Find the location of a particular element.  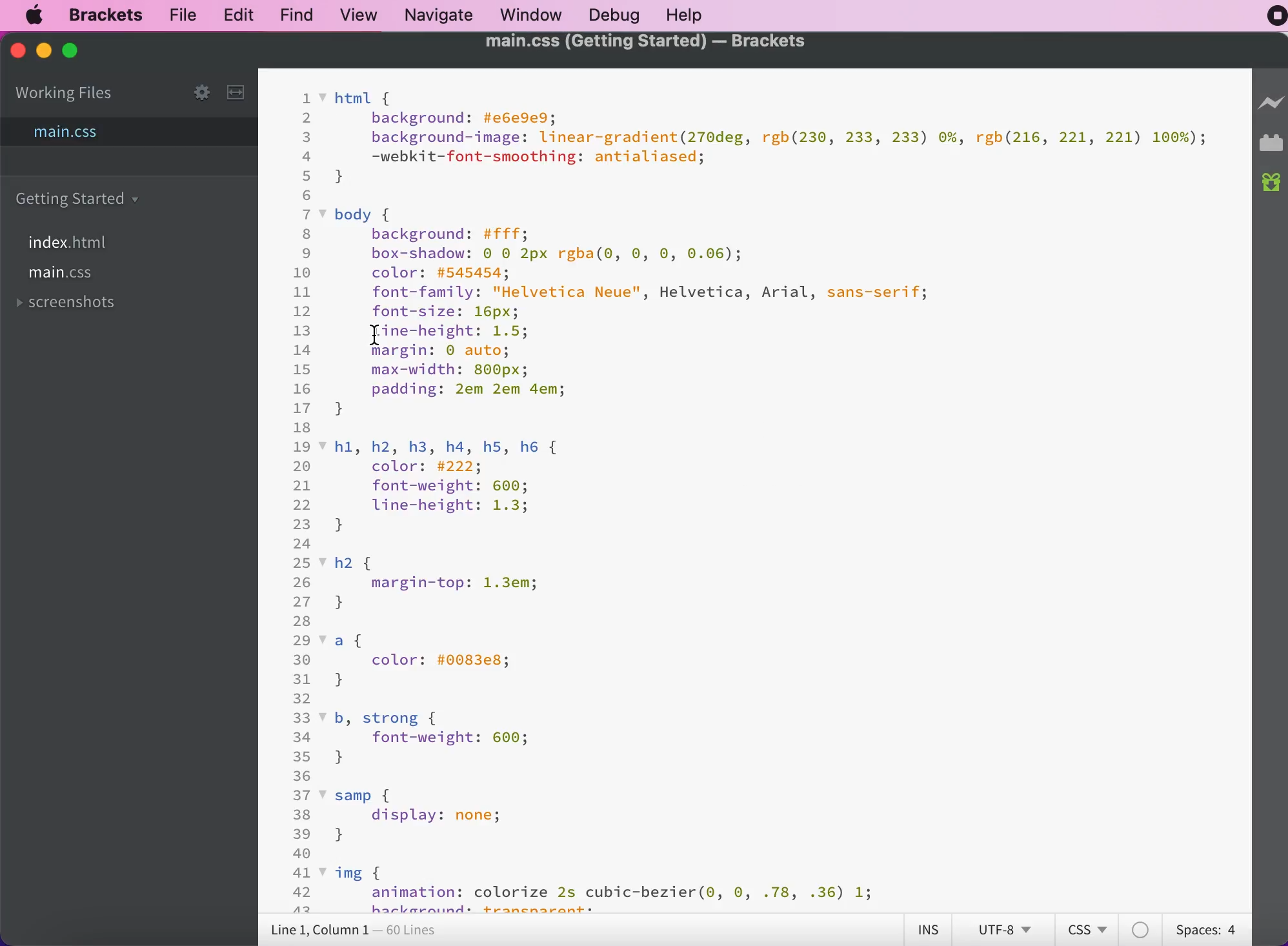

spaces: 4 is located at coordinates (1205, 931).